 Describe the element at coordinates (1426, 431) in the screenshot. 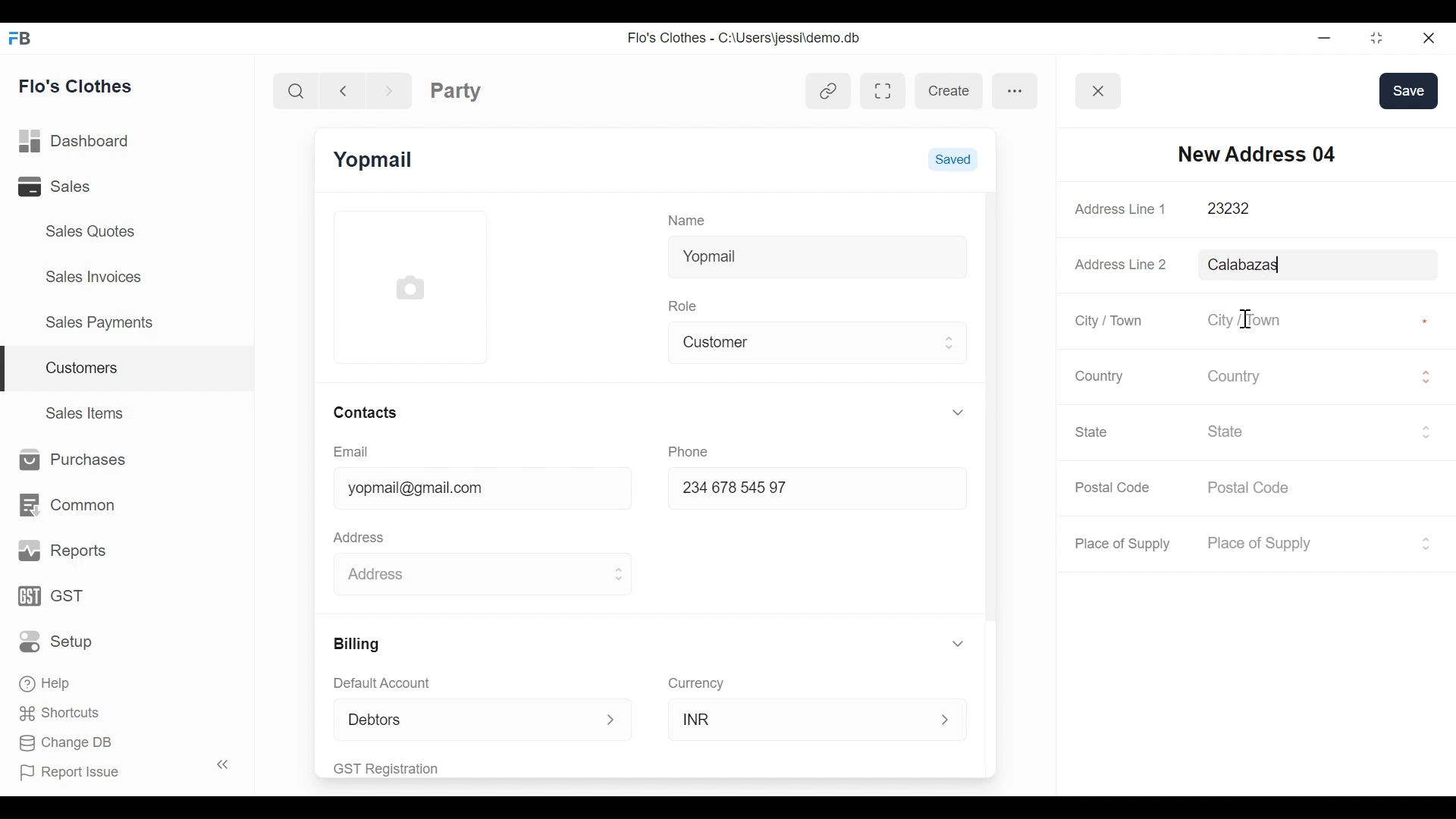

I see `Expand` at that location.